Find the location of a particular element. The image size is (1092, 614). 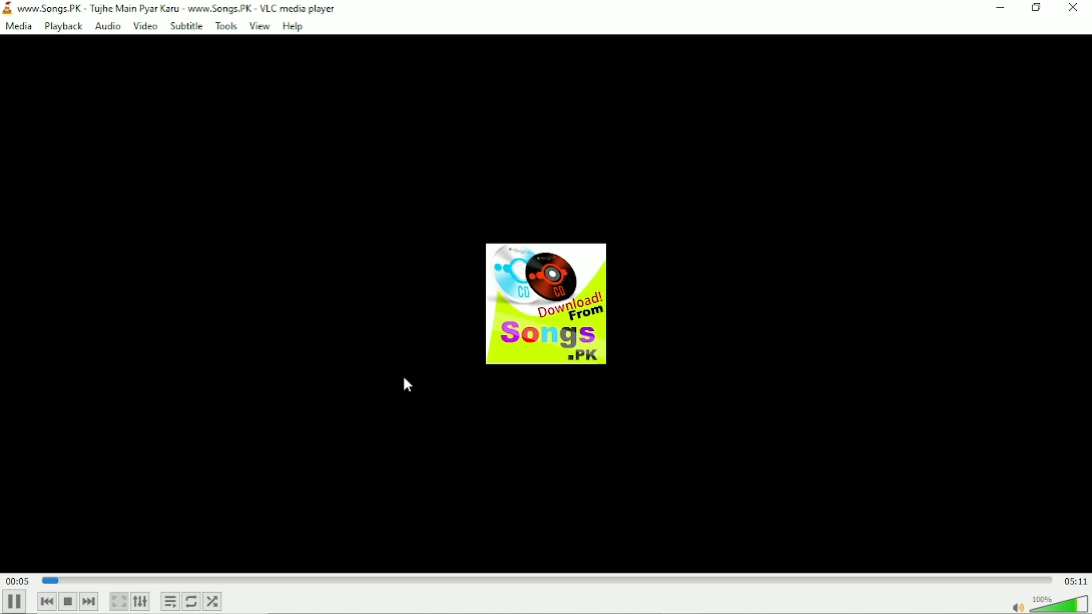

Playback is located at coordinates (63, 27).